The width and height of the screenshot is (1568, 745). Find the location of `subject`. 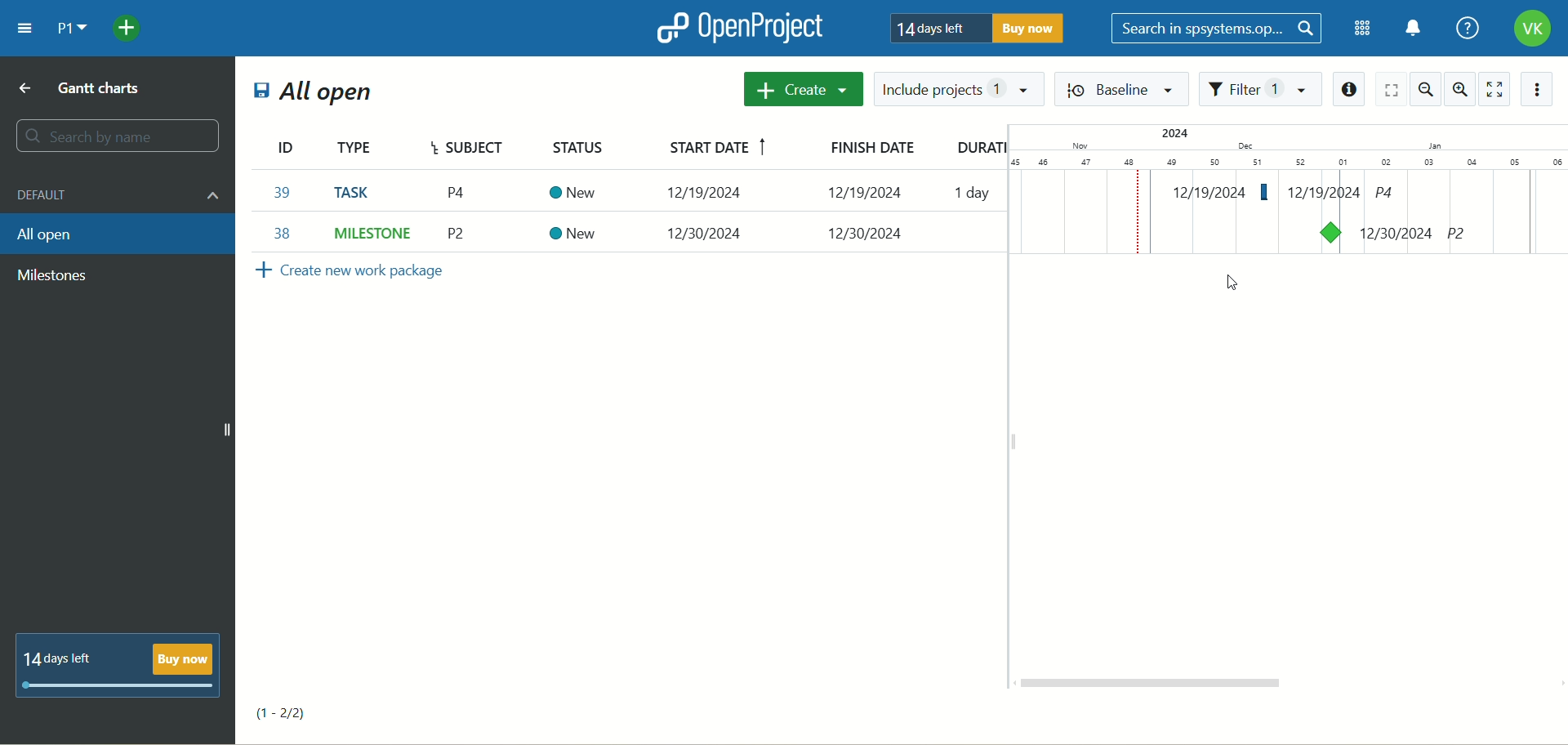

subject is located at coordinates (474, 145).